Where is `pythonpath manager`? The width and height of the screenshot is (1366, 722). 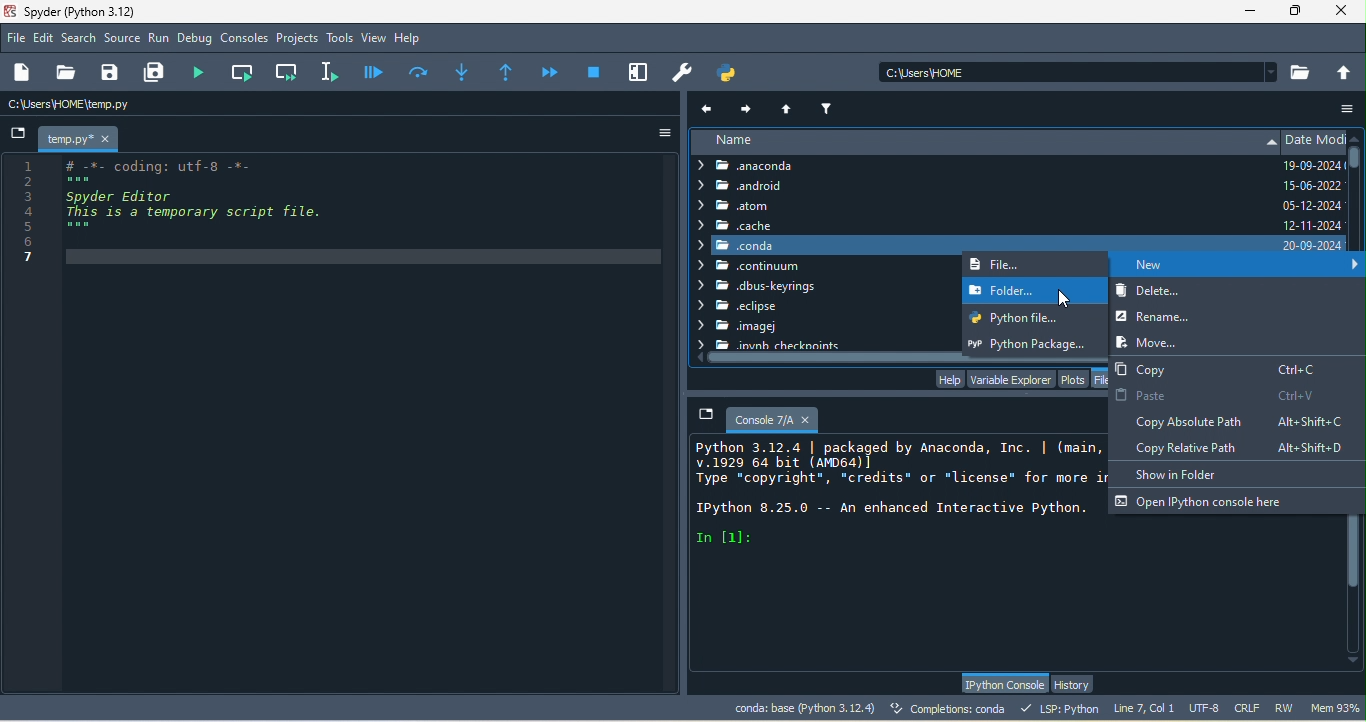
pythonpath manager is located at coordinates (732, 73).